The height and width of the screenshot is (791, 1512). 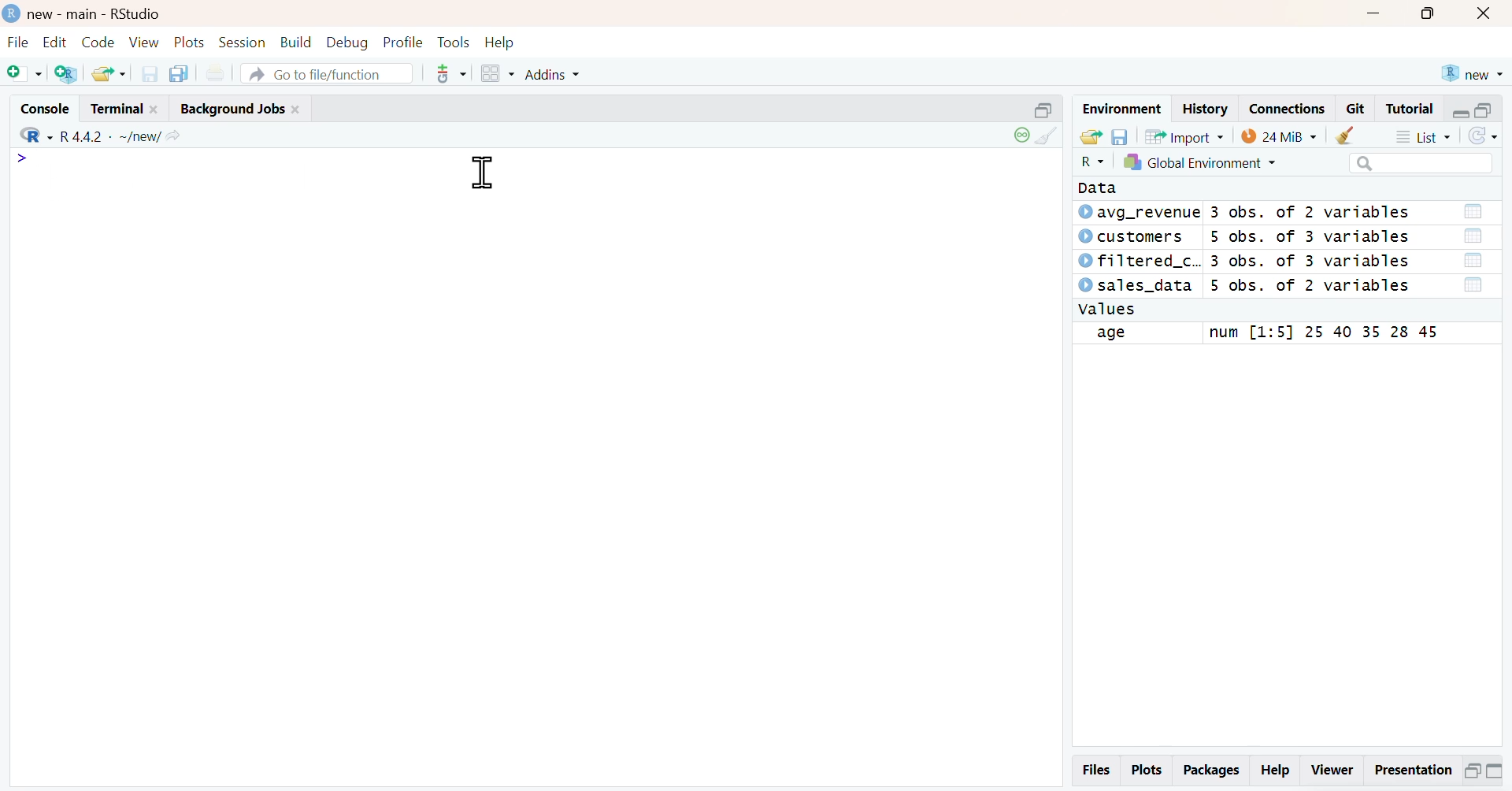 I want to click on File, so click(x=20, y=43).